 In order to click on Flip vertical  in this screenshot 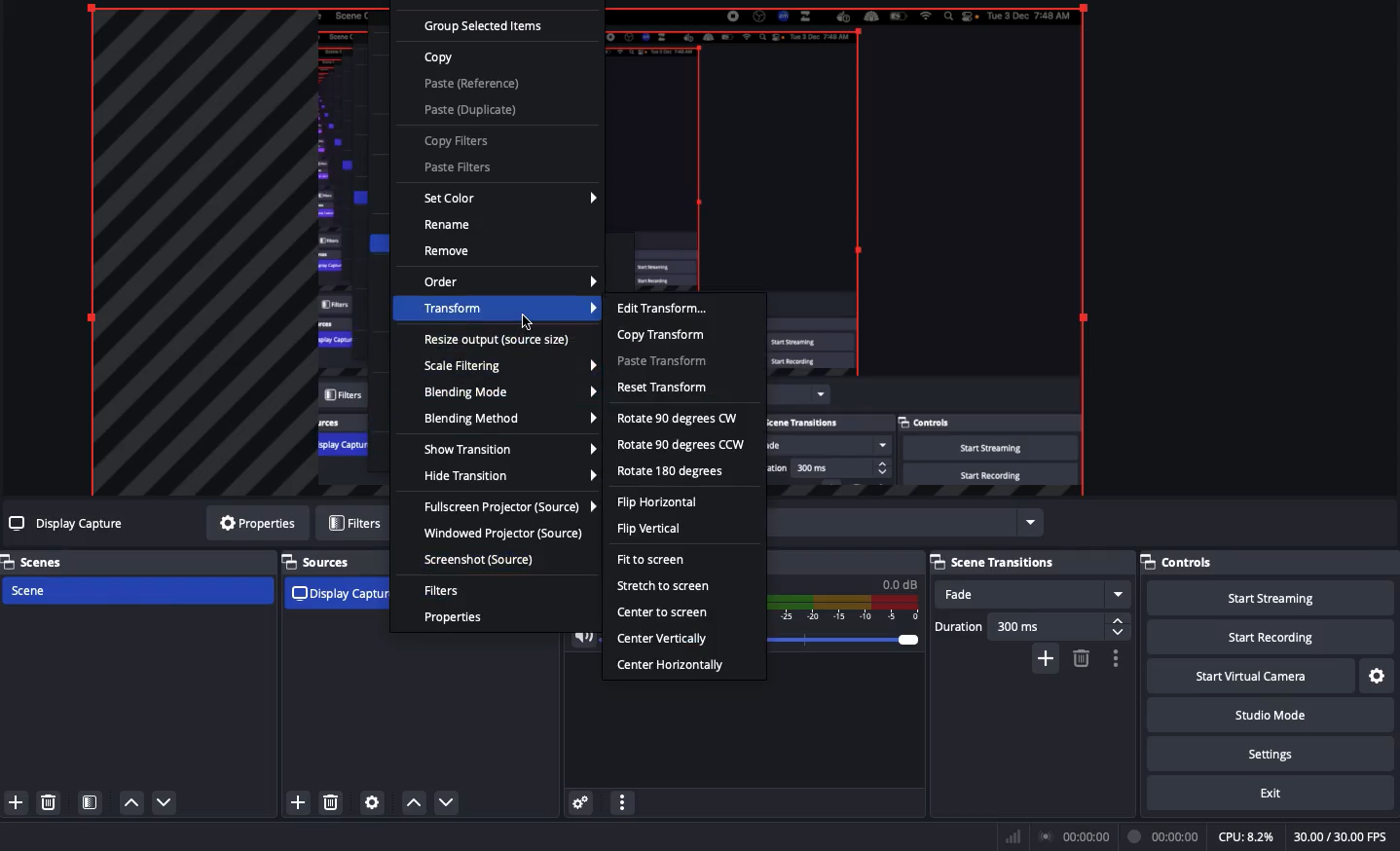, I will do `click(651, 530)`.